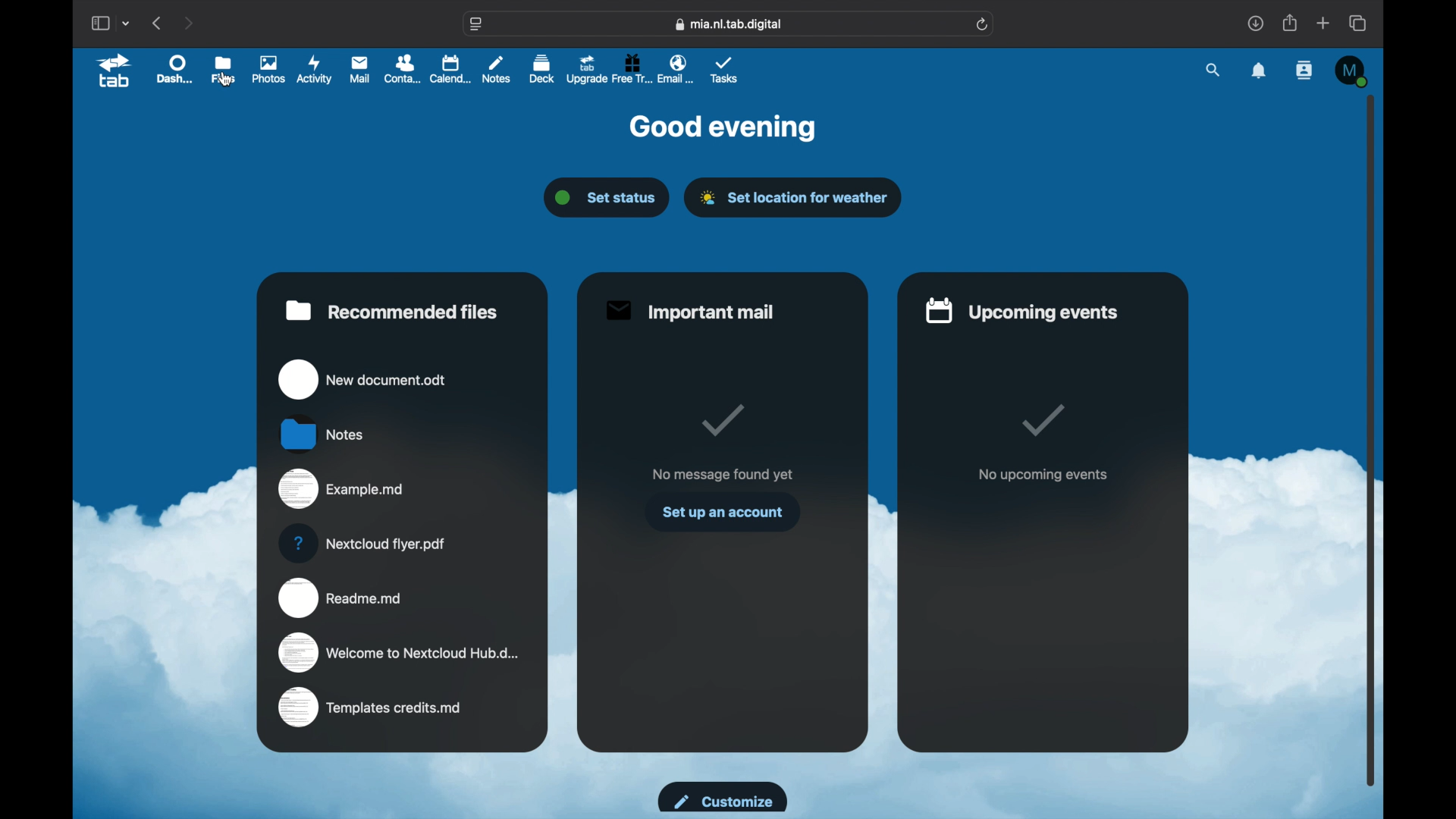 The image size is (1456, 819). What do you see at coordinates (793, 197) in the screenshot?
I see `set location for weather` at bounding box center [793, 197].